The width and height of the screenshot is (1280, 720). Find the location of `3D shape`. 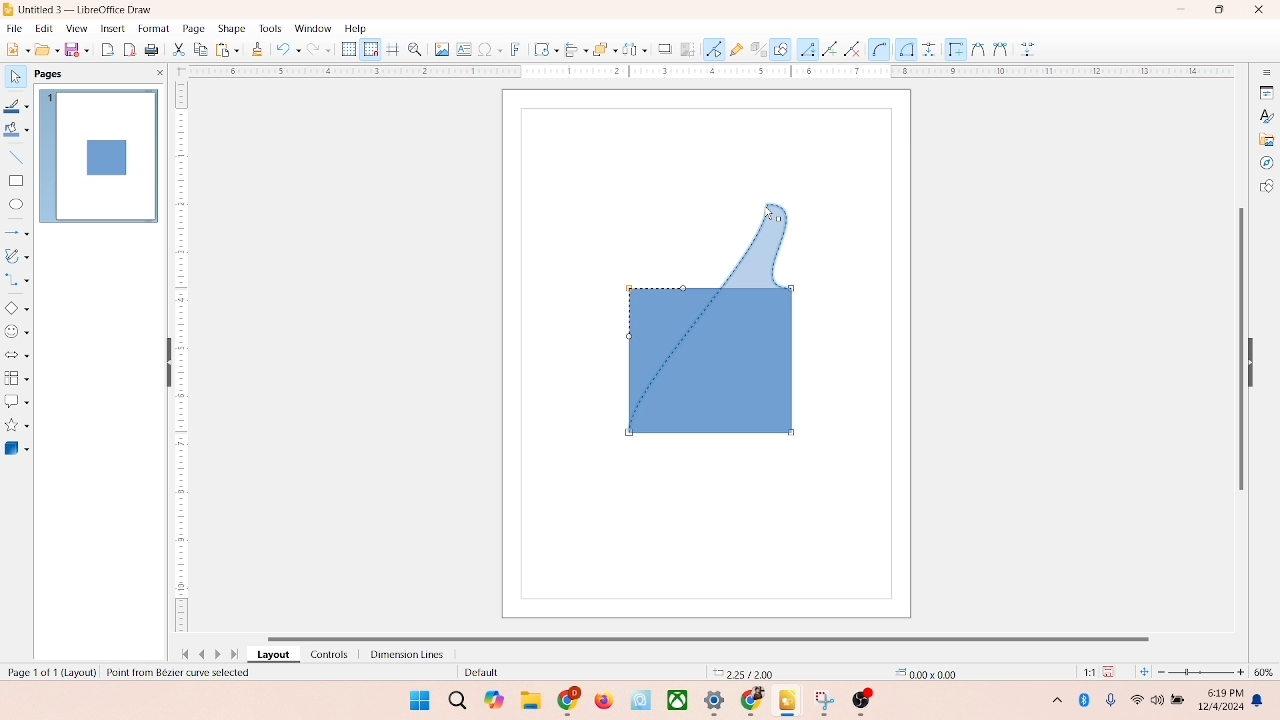

3D shape is located at coordinates (17, 448).